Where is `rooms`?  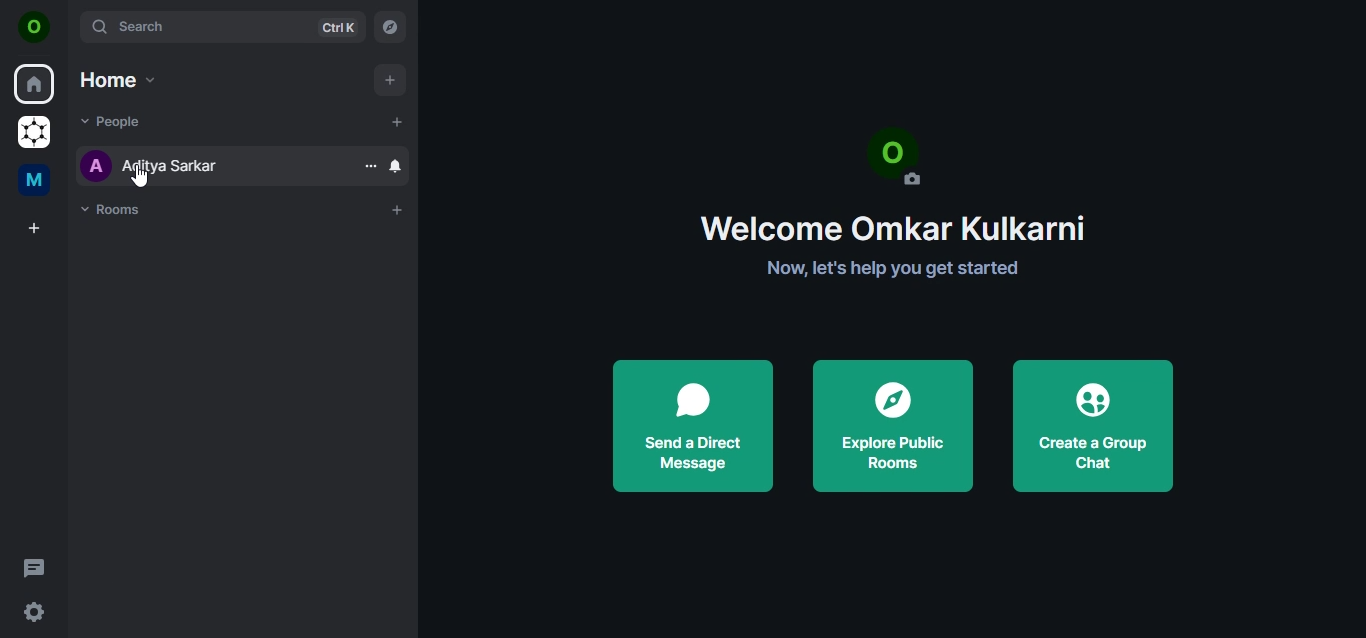
rooms is located at coordinates (117, 210).